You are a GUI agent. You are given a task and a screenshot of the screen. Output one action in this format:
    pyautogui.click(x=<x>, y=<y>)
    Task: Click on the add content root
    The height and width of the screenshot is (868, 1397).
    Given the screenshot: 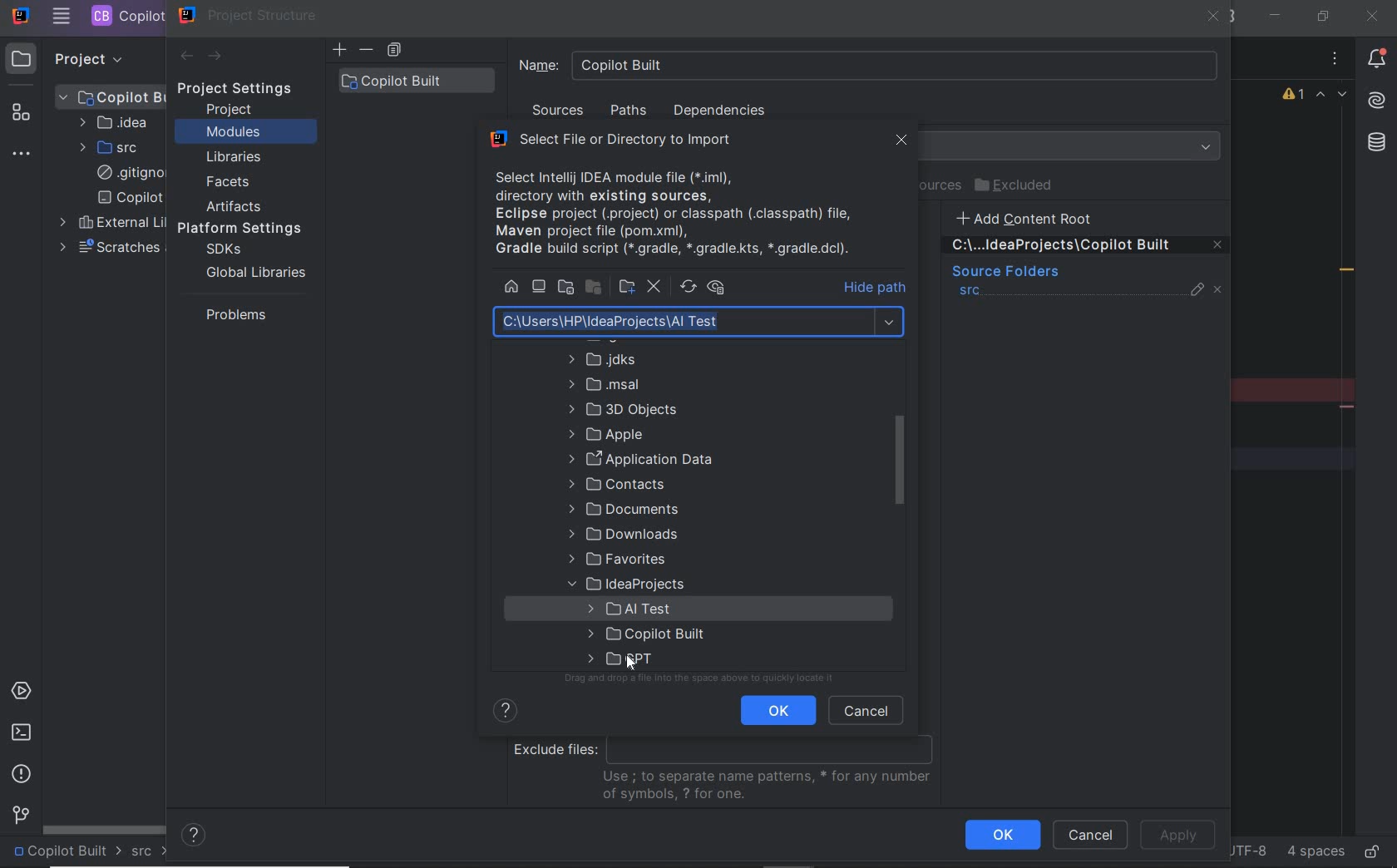 What is the action you would take?
    pyautogui.click(x=1034, y=218)
    